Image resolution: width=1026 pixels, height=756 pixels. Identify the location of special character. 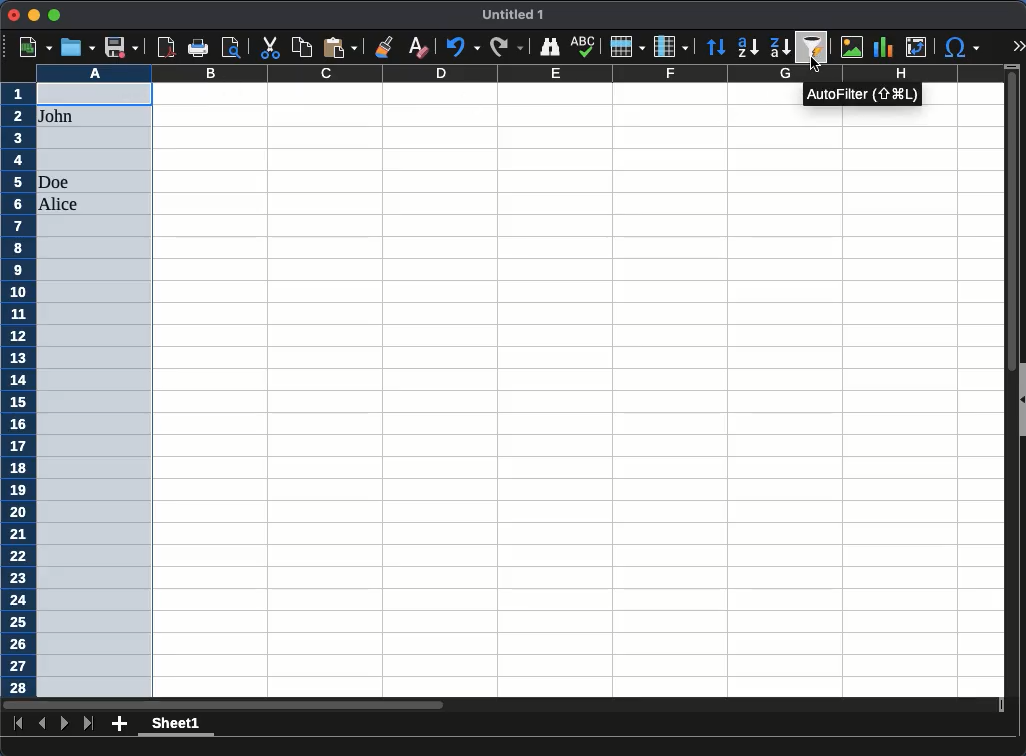
(961, 49).